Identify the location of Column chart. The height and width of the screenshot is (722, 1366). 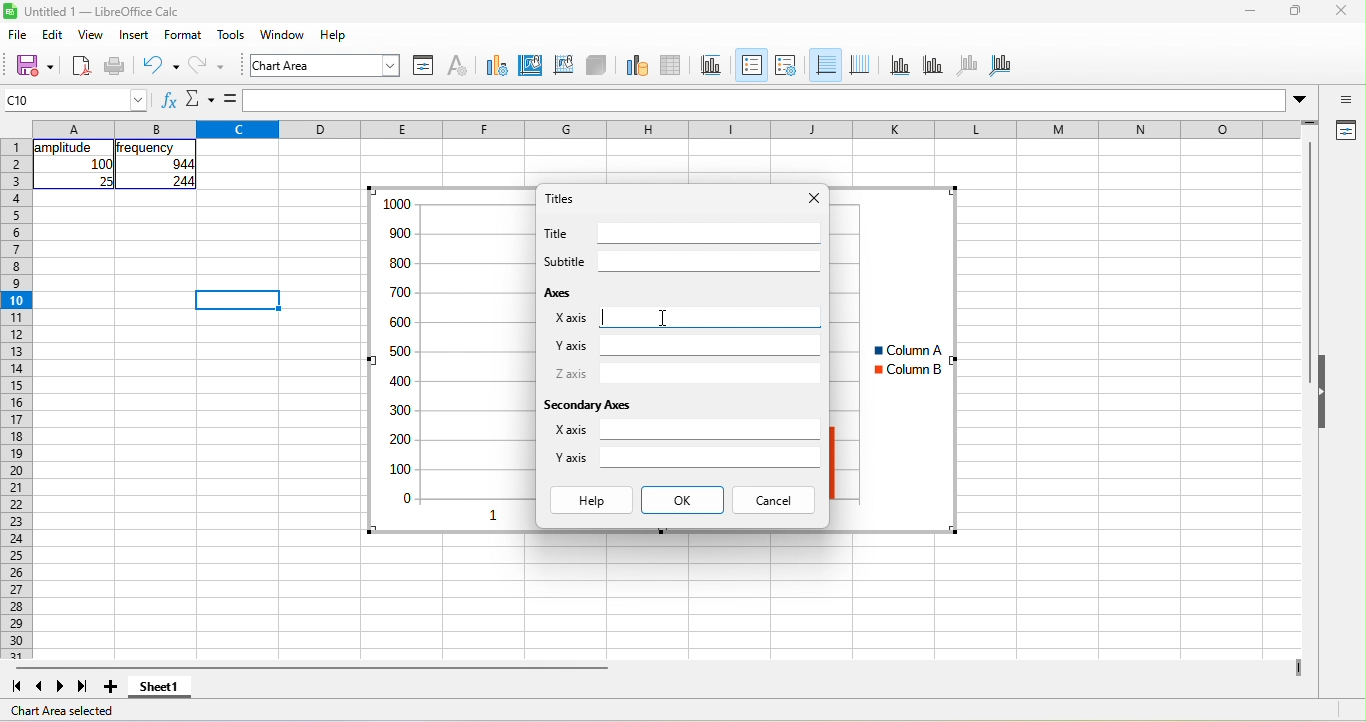
(450, 360).